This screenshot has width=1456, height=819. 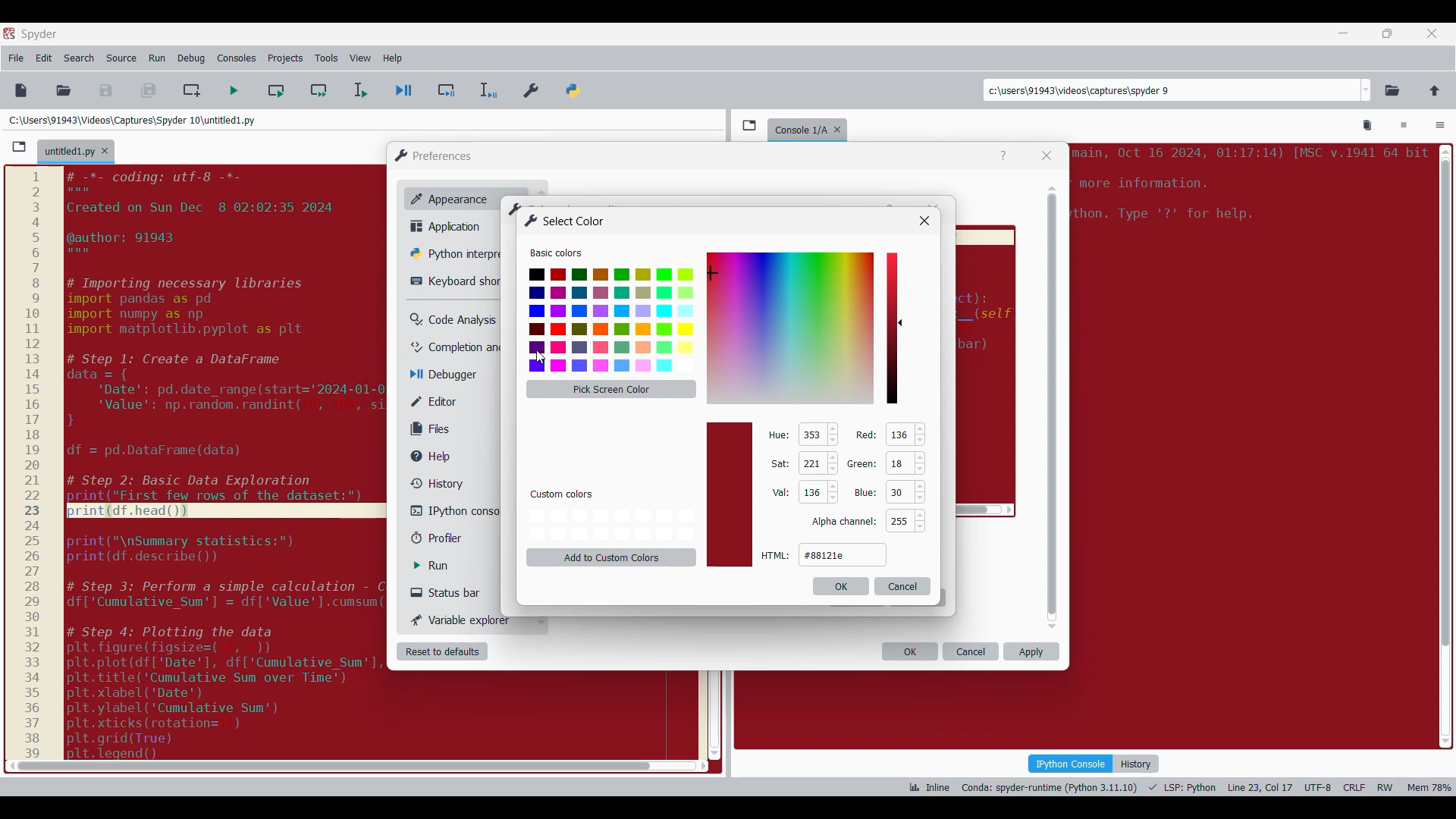 What do you see at coordinates (446, 197) in the screenshot?
I see `Appearance, current selection highlighted` at bounding box center [446, 197].